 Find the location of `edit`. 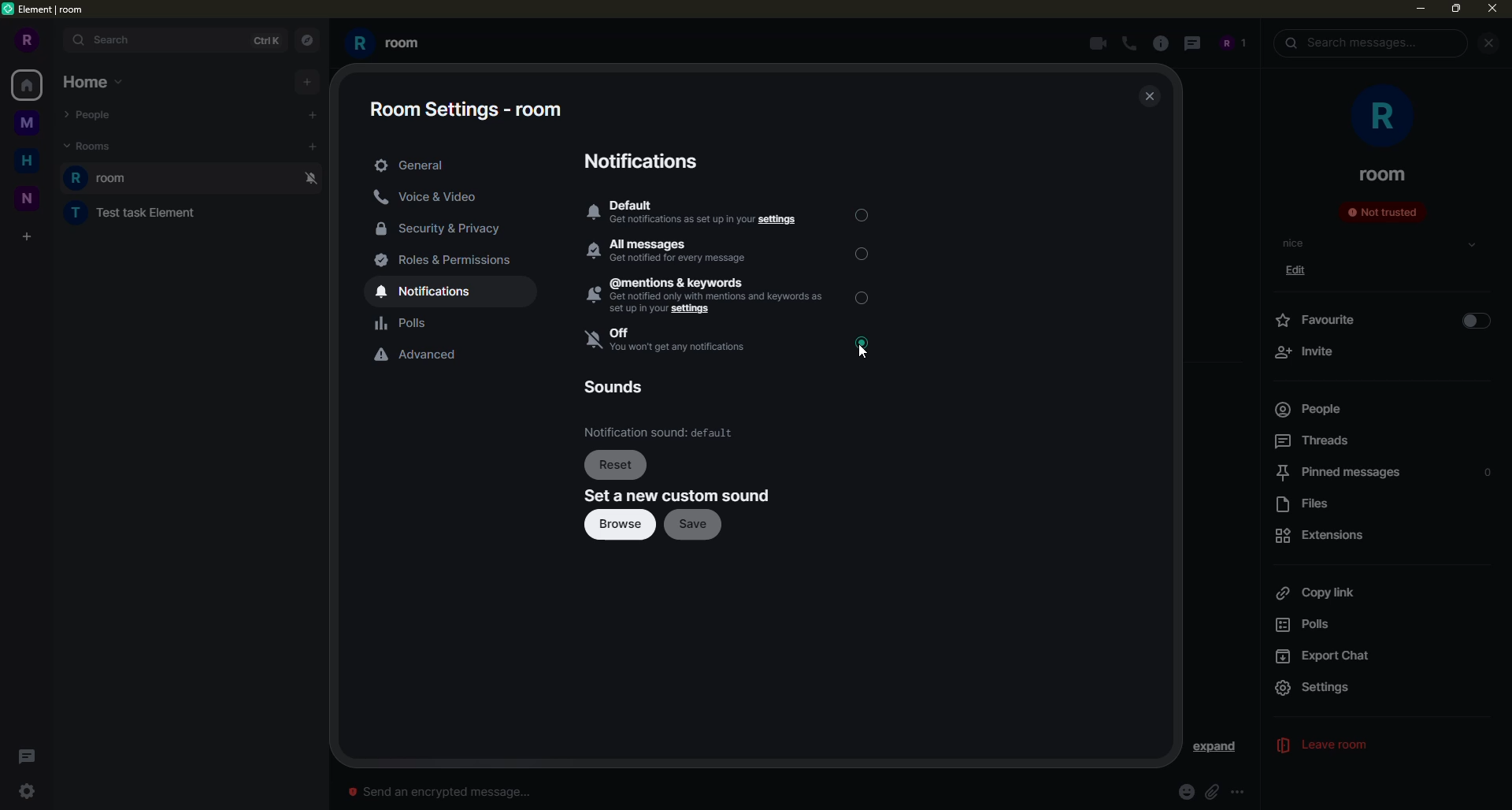

edit is located at coordinates (1302, 273).